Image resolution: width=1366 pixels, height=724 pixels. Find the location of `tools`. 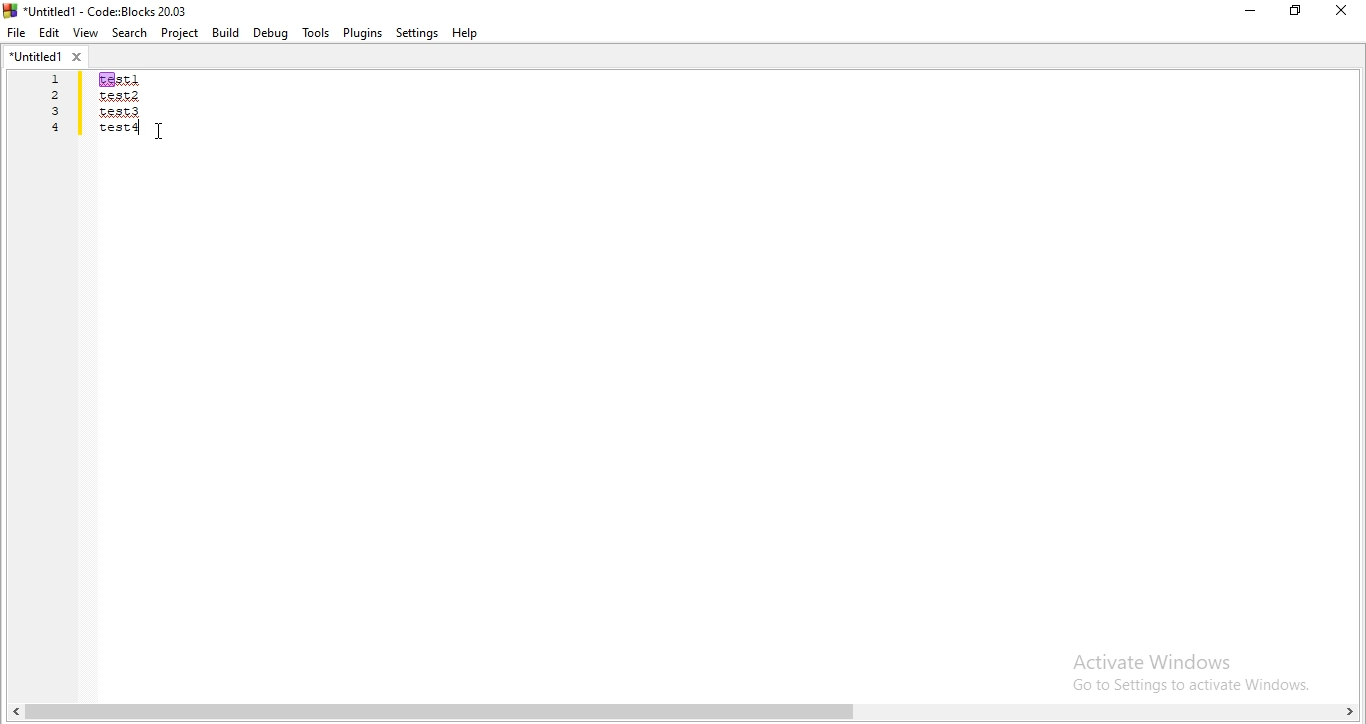

tools is located at coordinates (314, 33).